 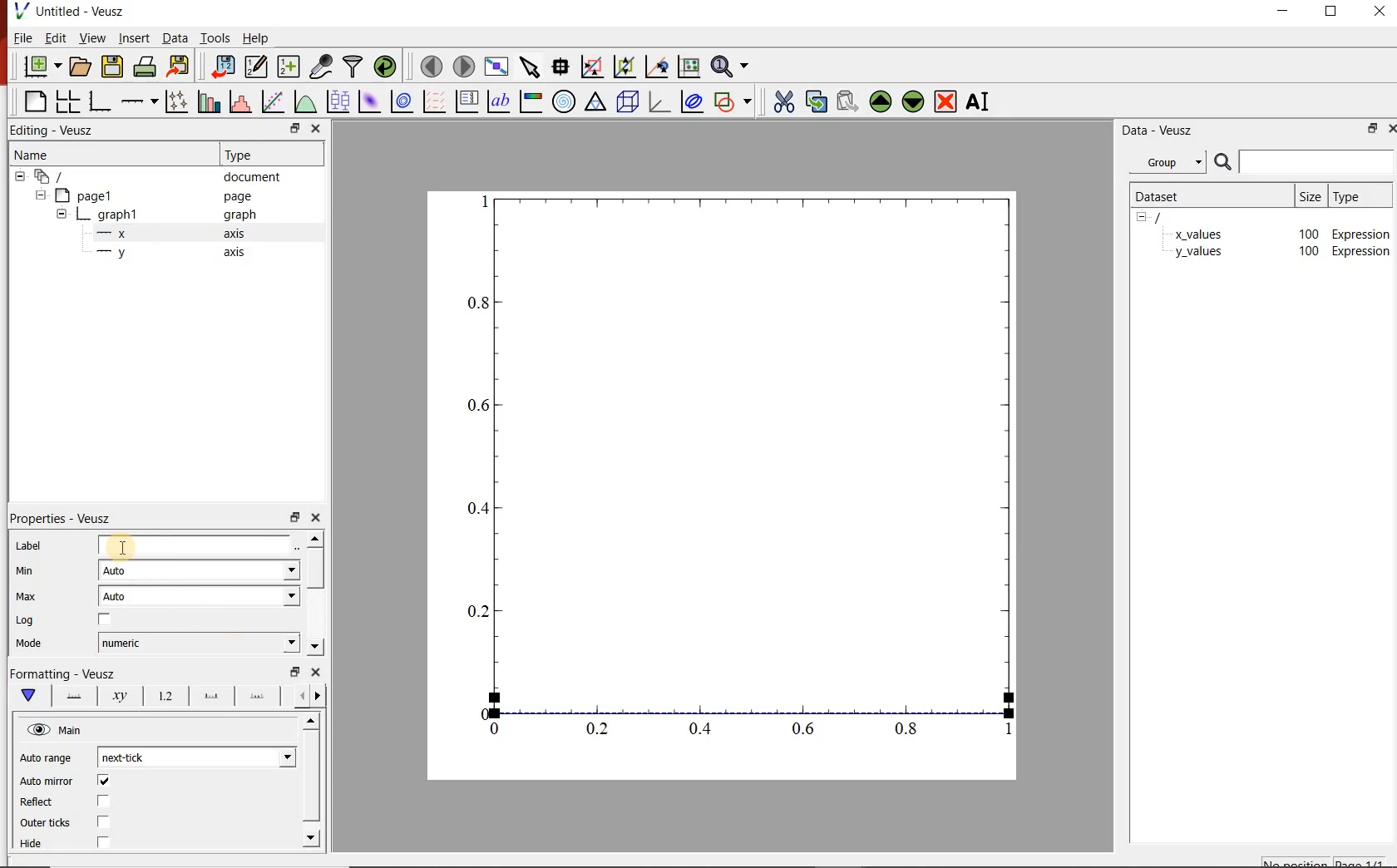 I want to click on fit a function to a data, so click(x=273, y=101).